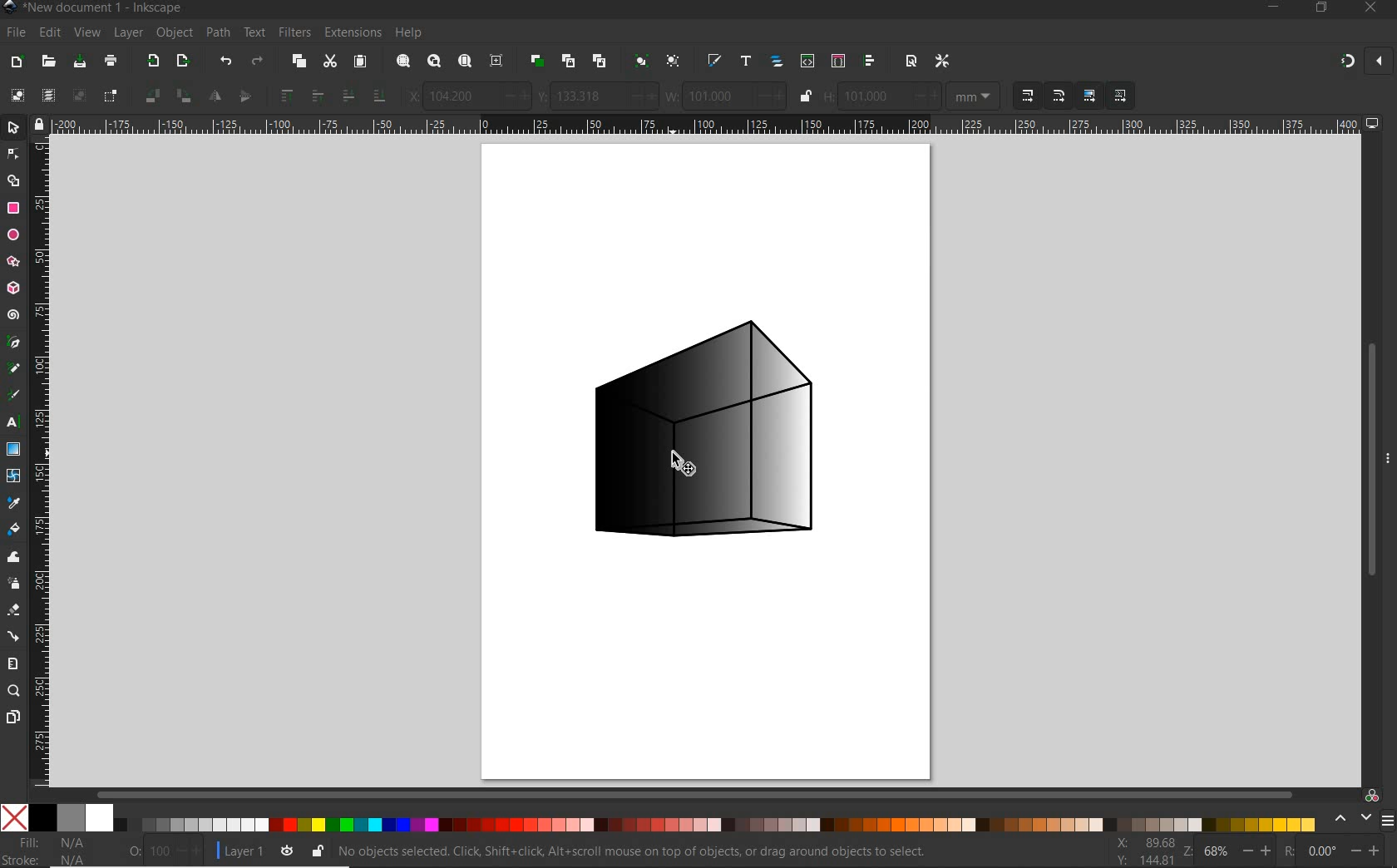 Image resolution: width=1397 pixels, height=868 pixels. I want to click on lock, so click(39, 124).